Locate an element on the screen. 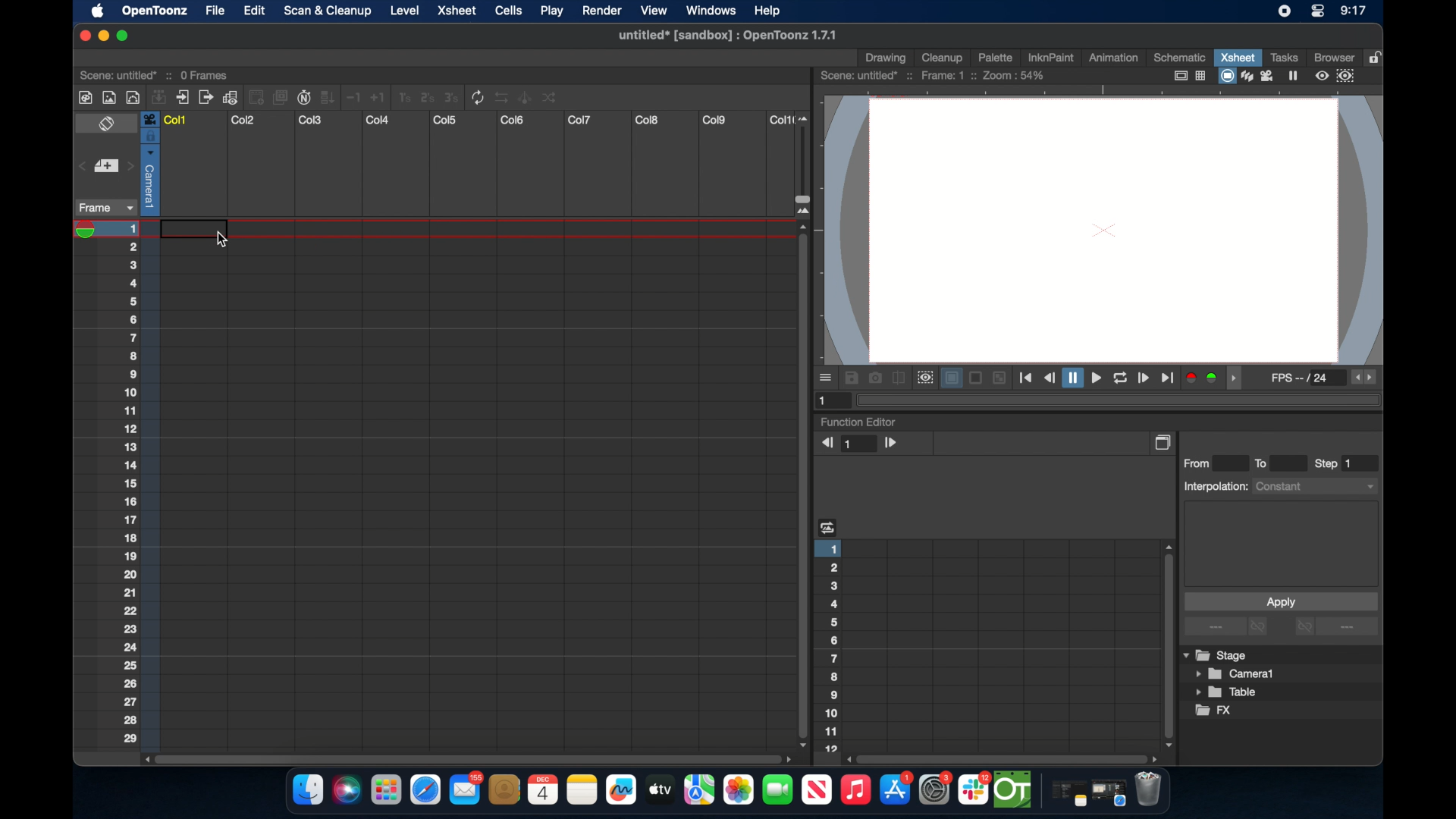 This screenshot has height=819, width=1456. canvas is located at coordinates (1103, 229).